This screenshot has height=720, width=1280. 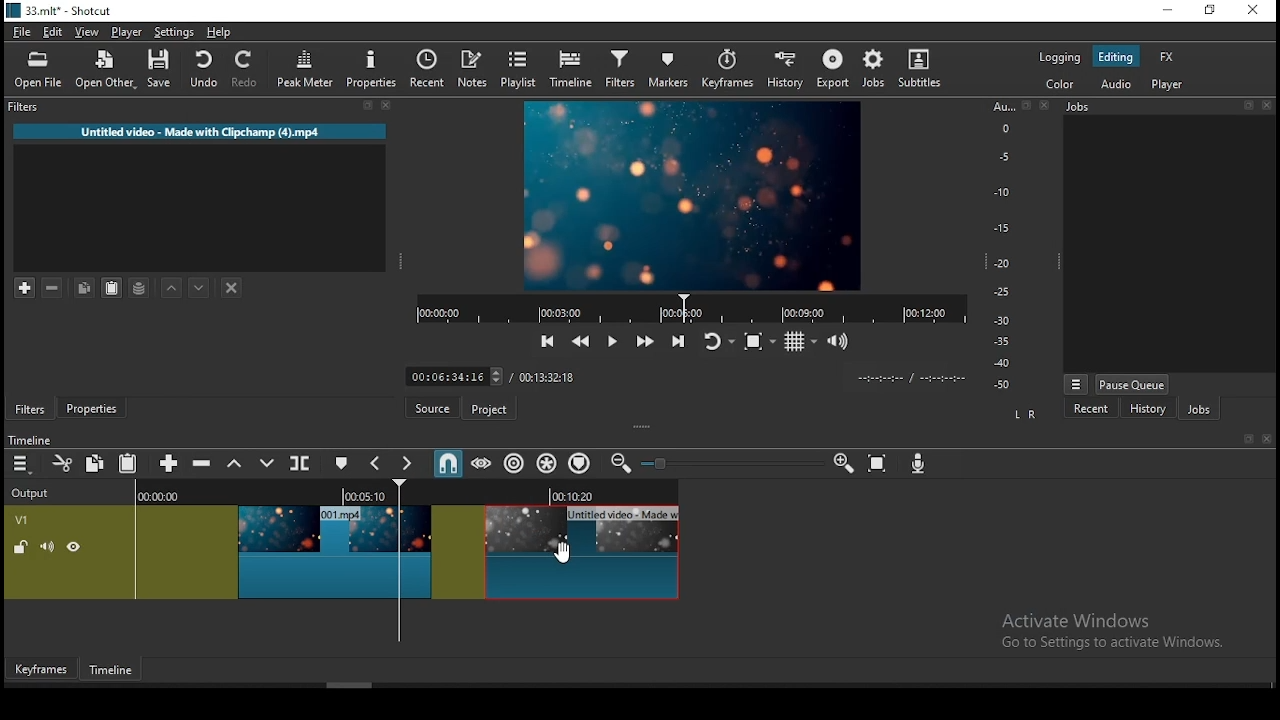 I want to click on pause queue, so click(x=1131, y=384).